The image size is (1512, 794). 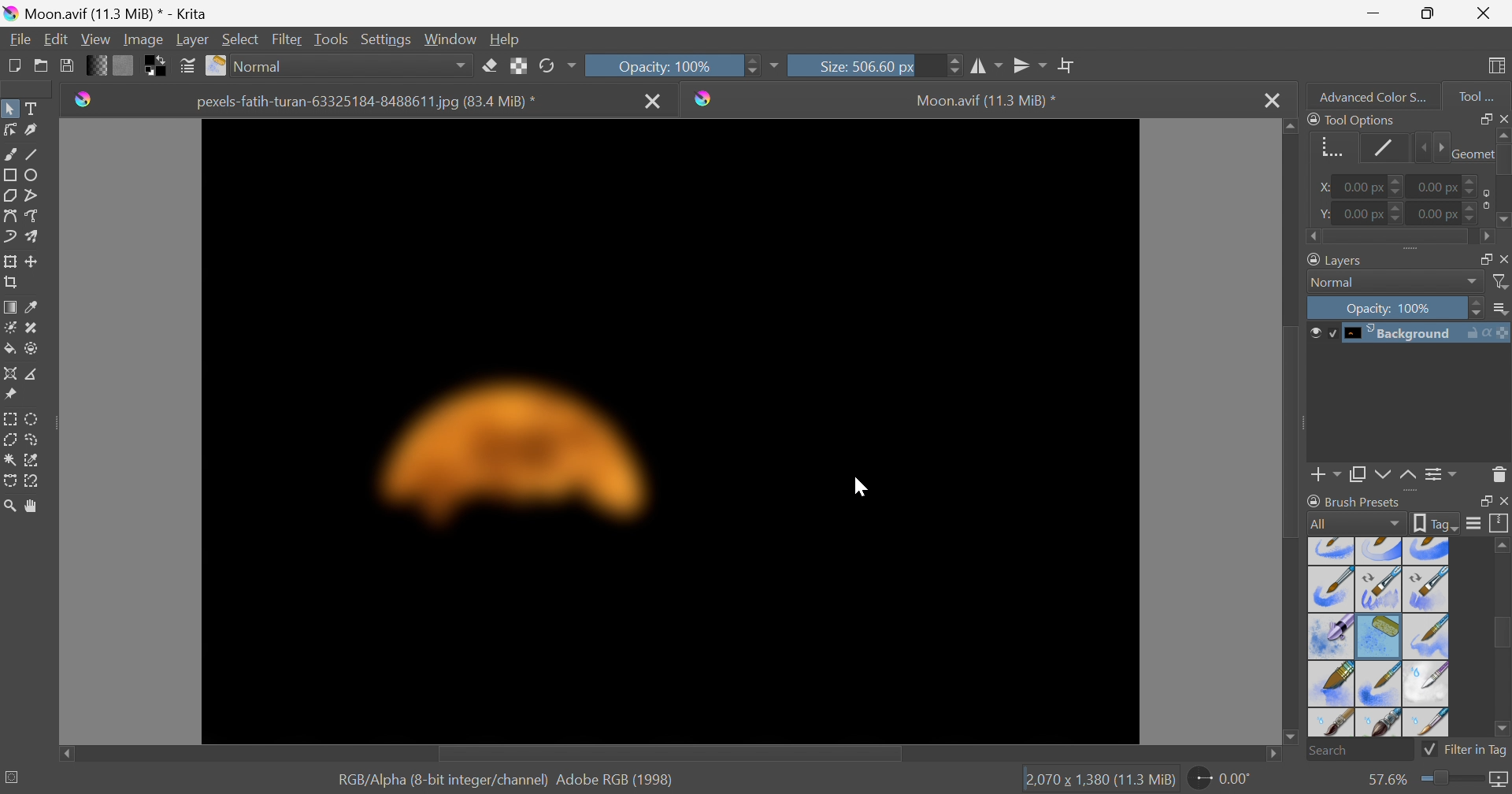 I want to click on Select shapes tool, so click(x=9, y=109).